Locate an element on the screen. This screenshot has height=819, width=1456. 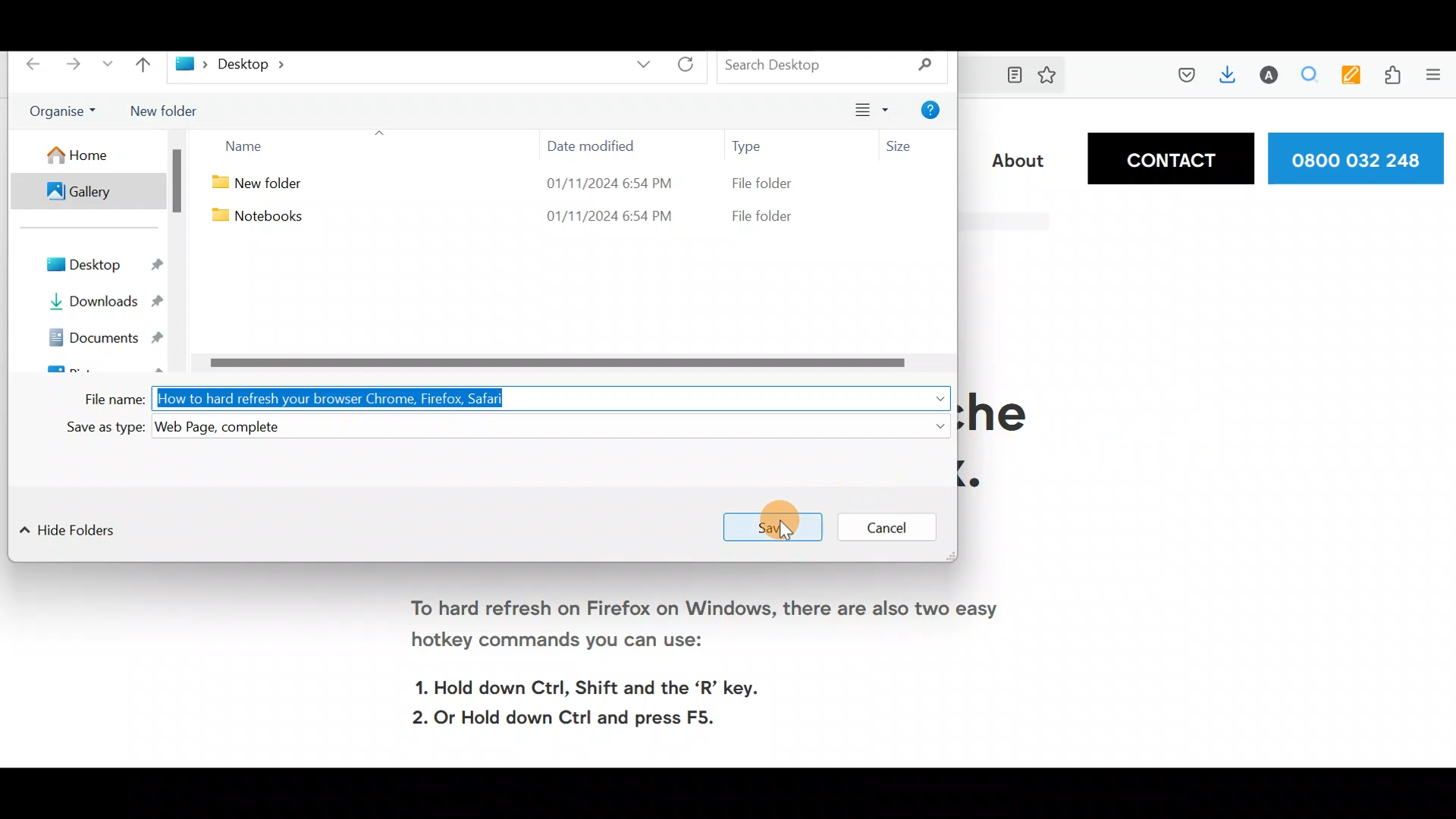
Organize is located at coordinates (66, 111).